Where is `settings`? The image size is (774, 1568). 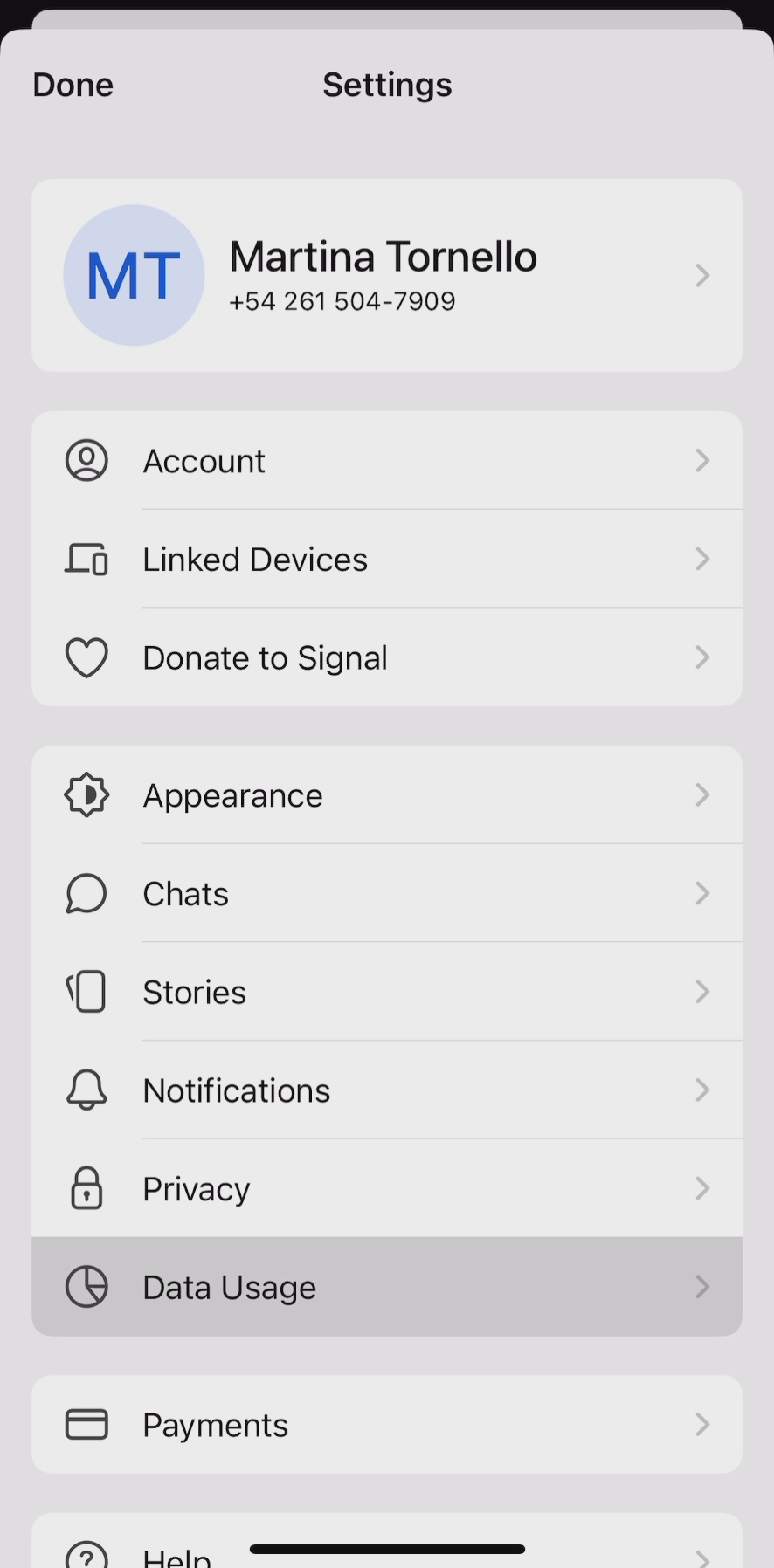
settings is located at coordinates (390, 80).